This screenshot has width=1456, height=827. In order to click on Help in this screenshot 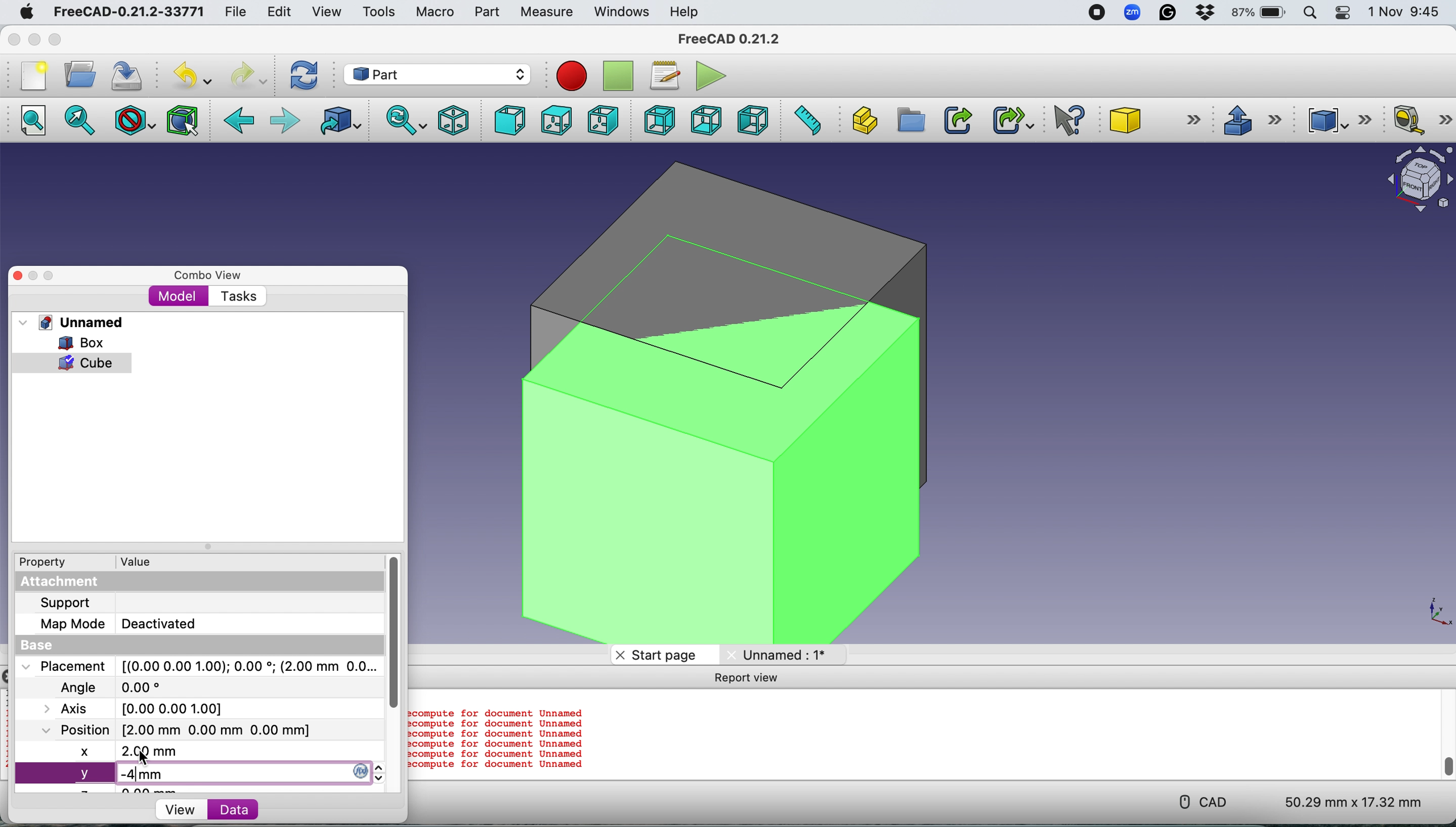, I will do `click(685, 11)`.